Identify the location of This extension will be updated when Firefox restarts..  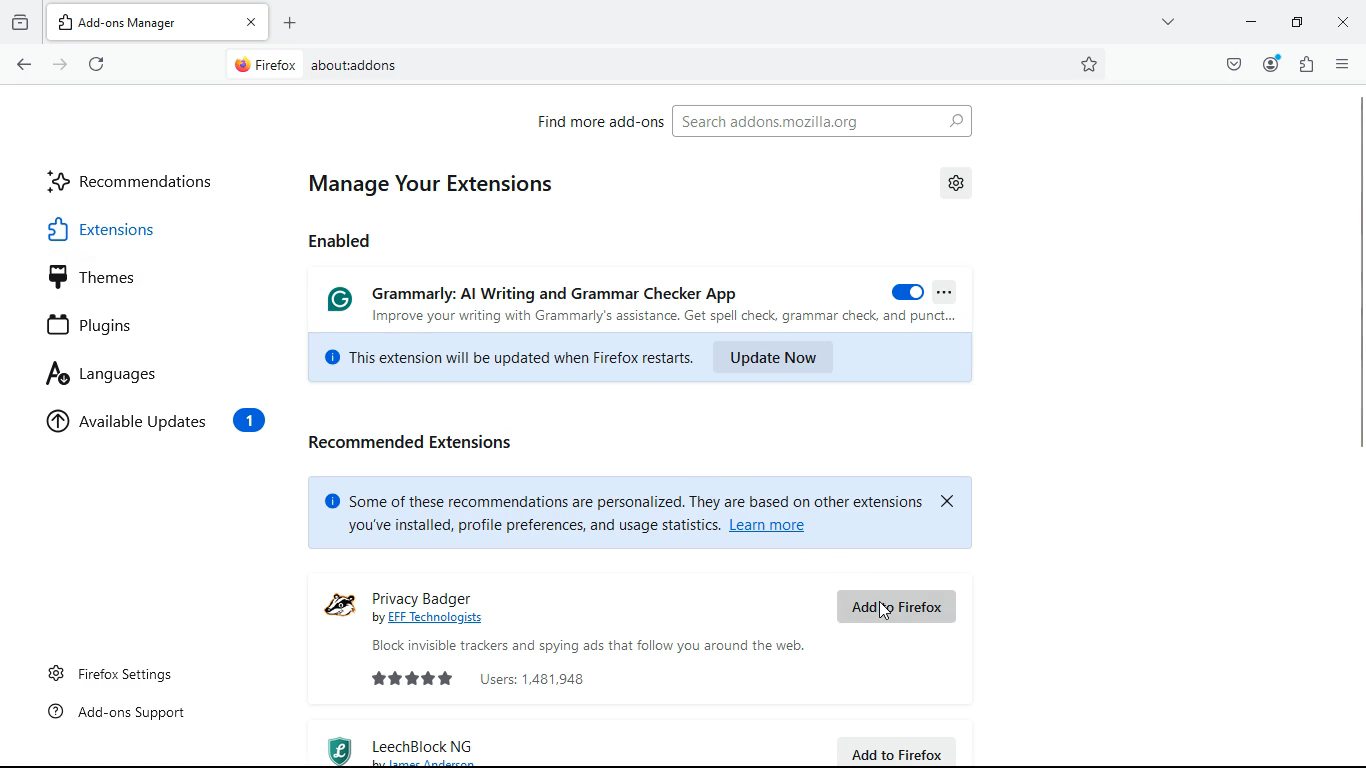
(501, 360).